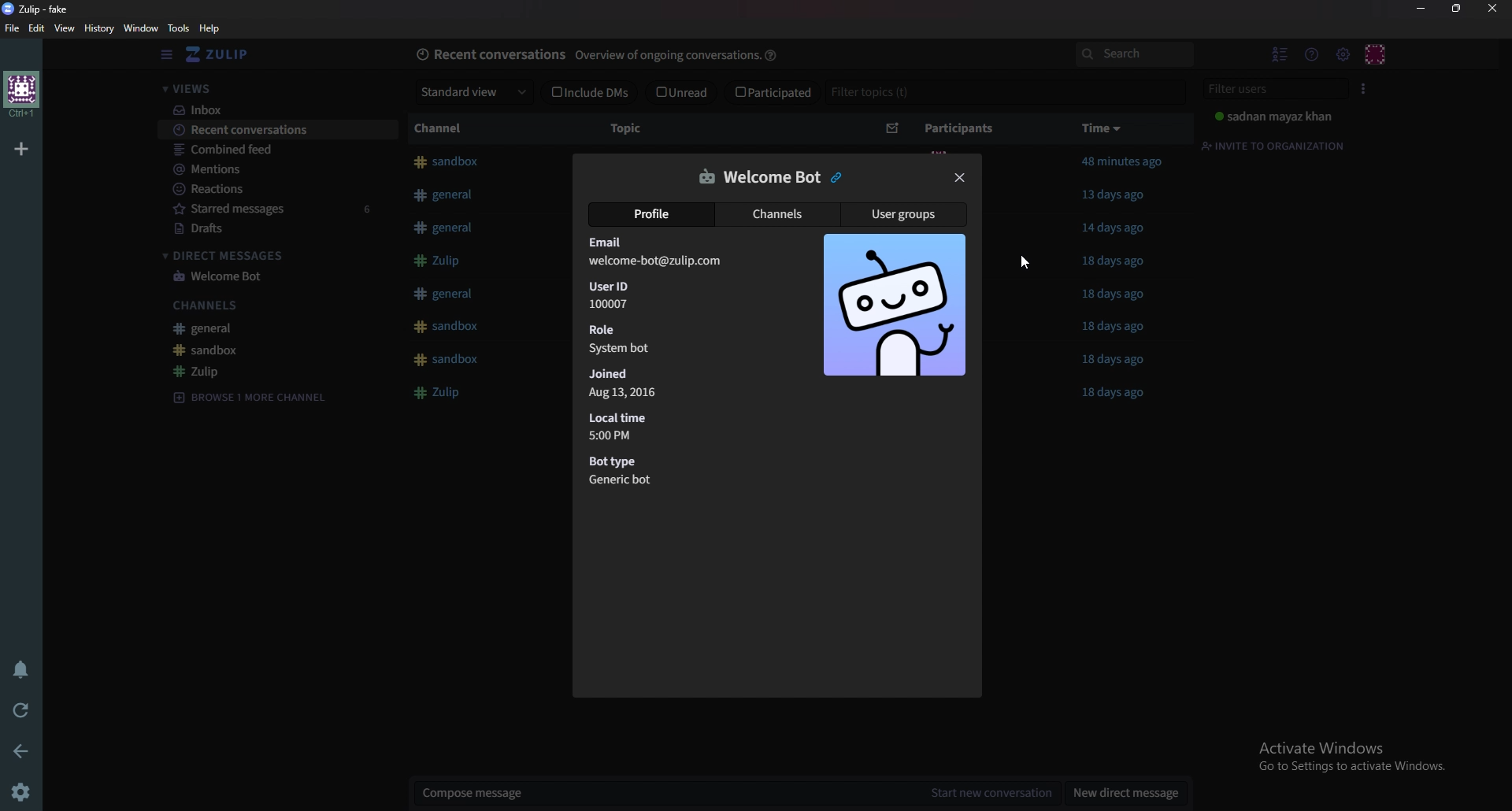 The width and height of the screenshot is (1512, 811). I want to click on role system bot, so click(626, 340).